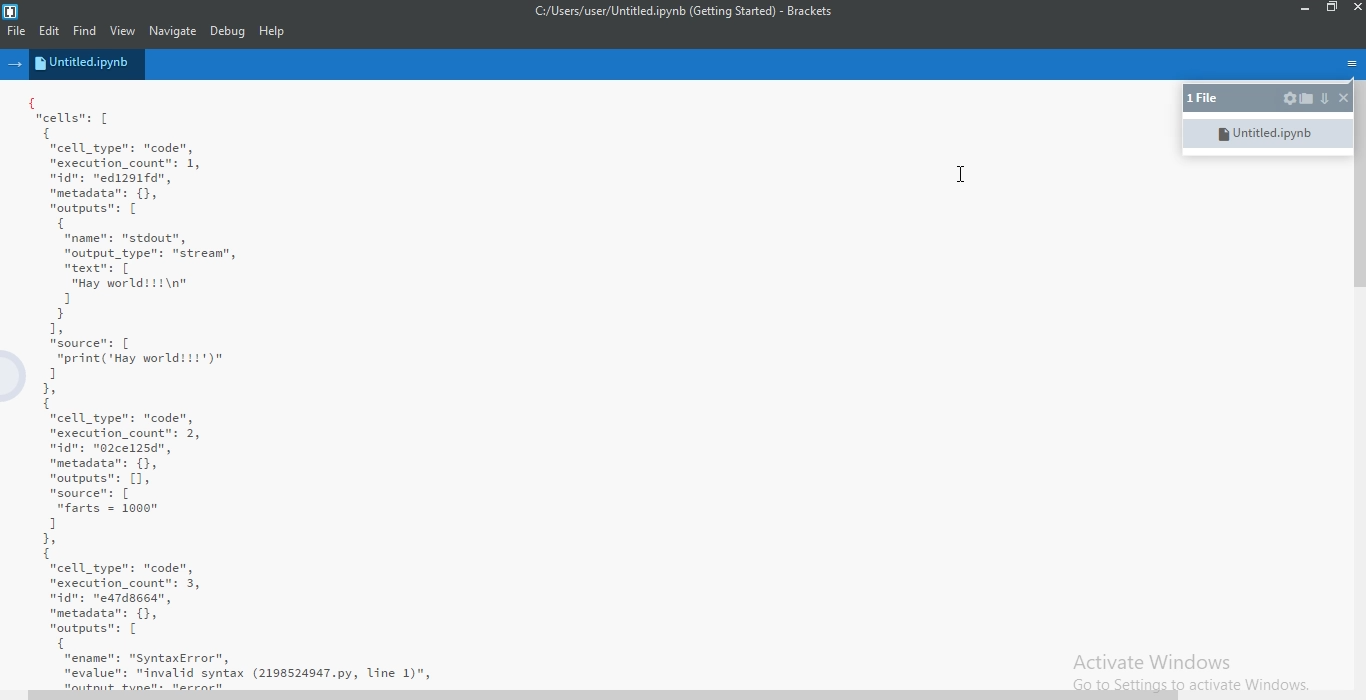 This screenshot has height=700, width=1366. What do you see at coordinates (1265, 132) in the screenshot?
I see `untitled.ipynb` at bounding box center [1265, 132].